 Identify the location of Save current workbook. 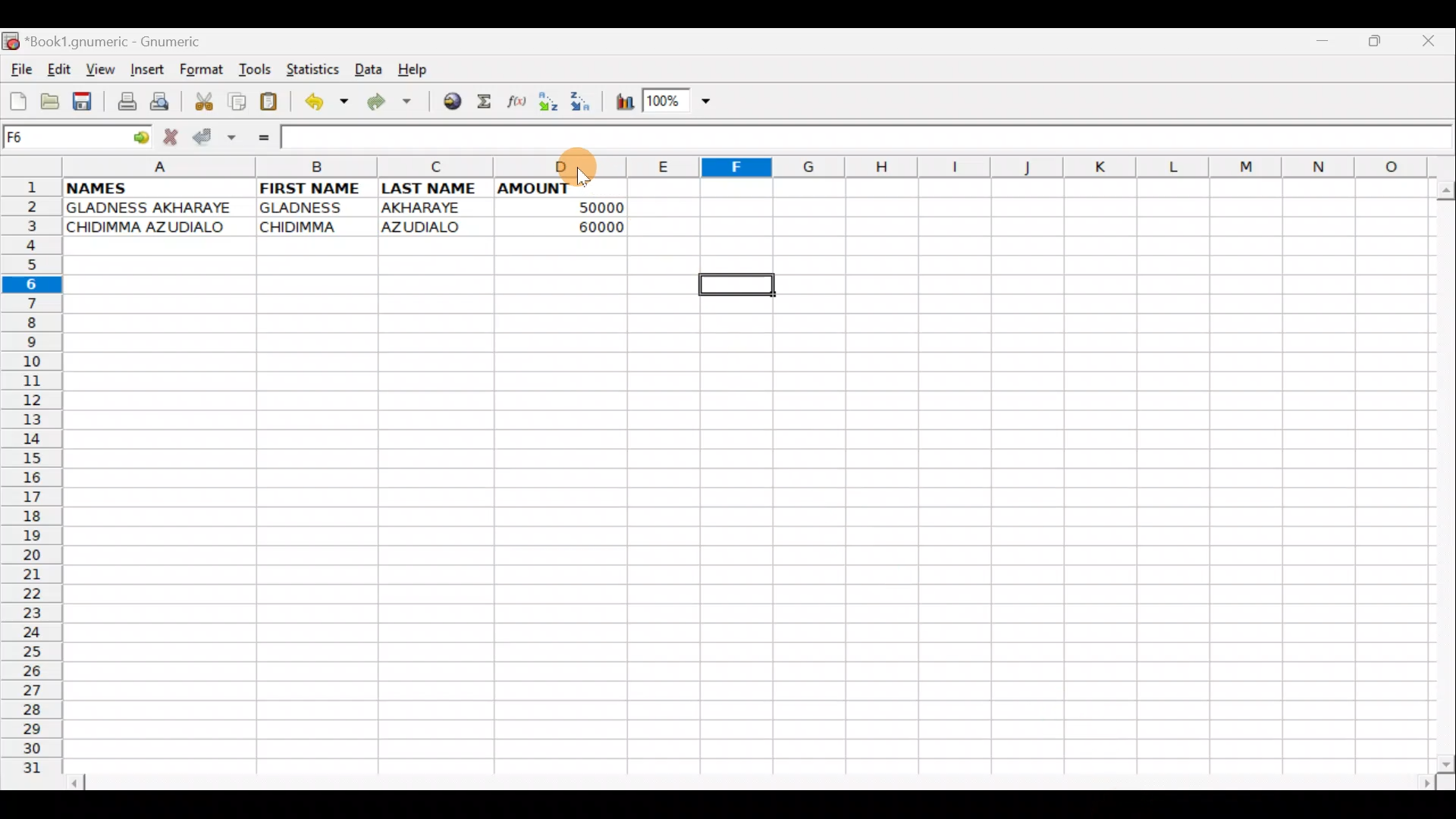
(82, 101).